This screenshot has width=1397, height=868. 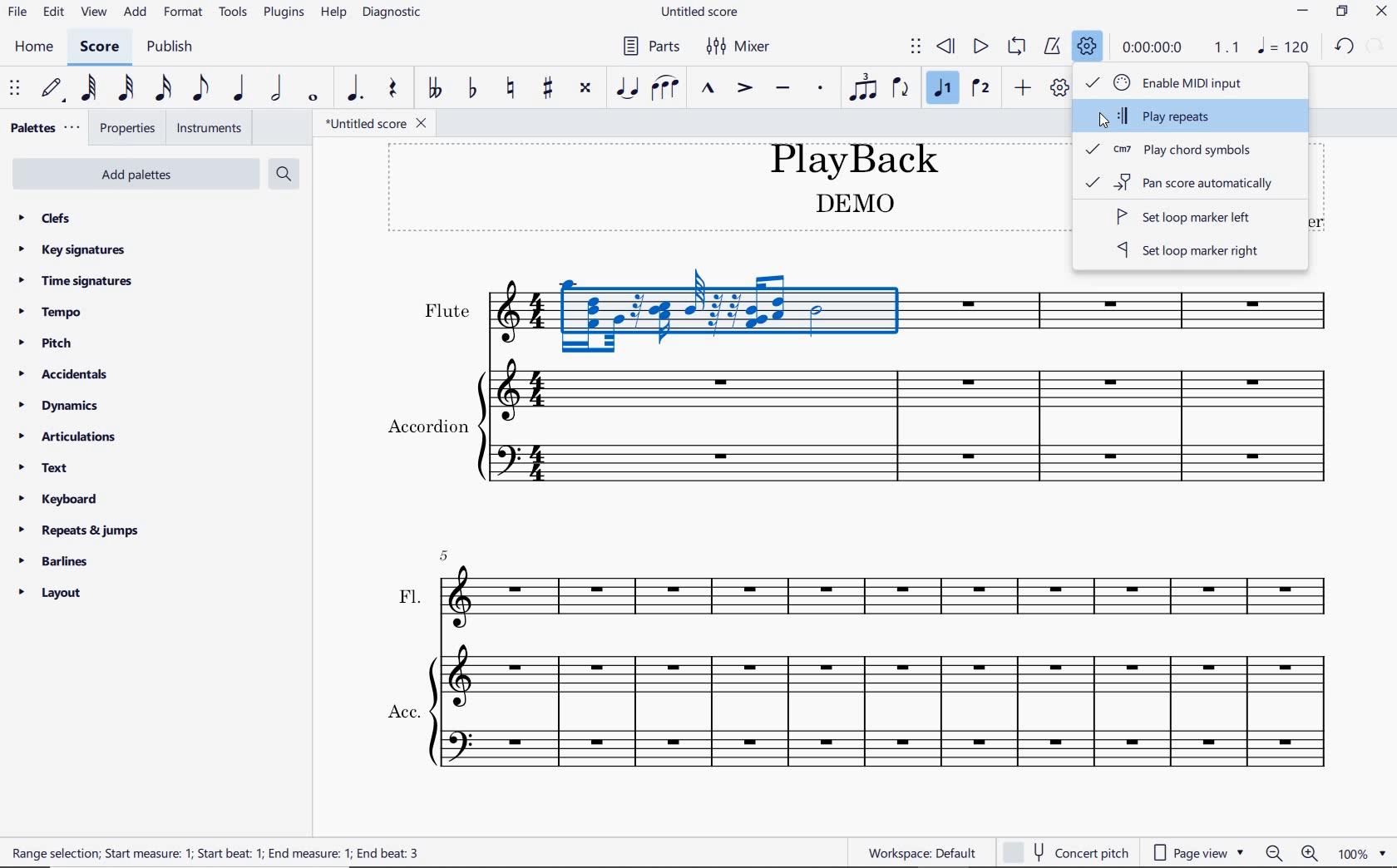 I want to click on properties, so click(x=131, y=129).